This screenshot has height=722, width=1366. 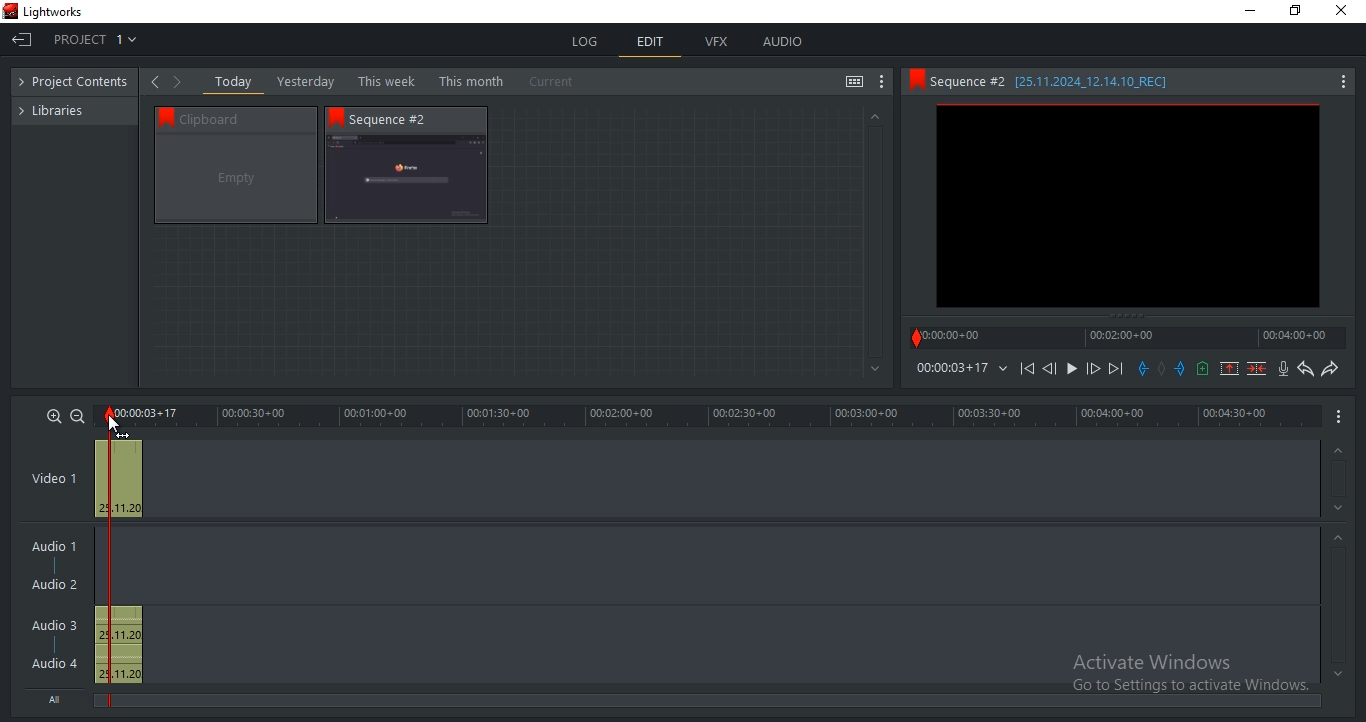 I want to click on show settings menu, so click(x=882, y=82).